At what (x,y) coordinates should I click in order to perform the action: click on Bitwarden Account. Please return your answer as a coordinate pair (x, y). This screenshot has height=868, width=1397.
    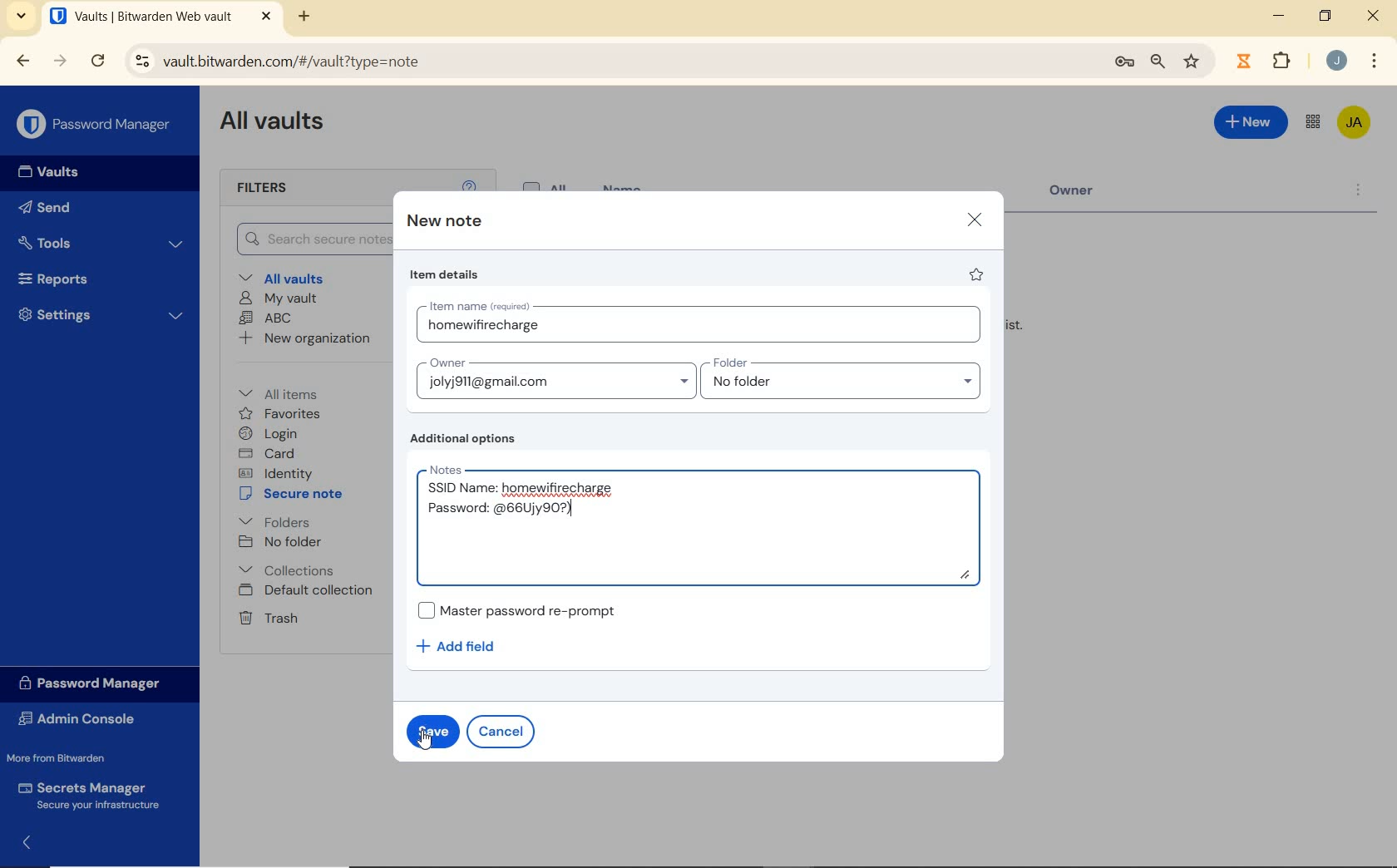
    Looking at the image, I should click on (1355, 124).